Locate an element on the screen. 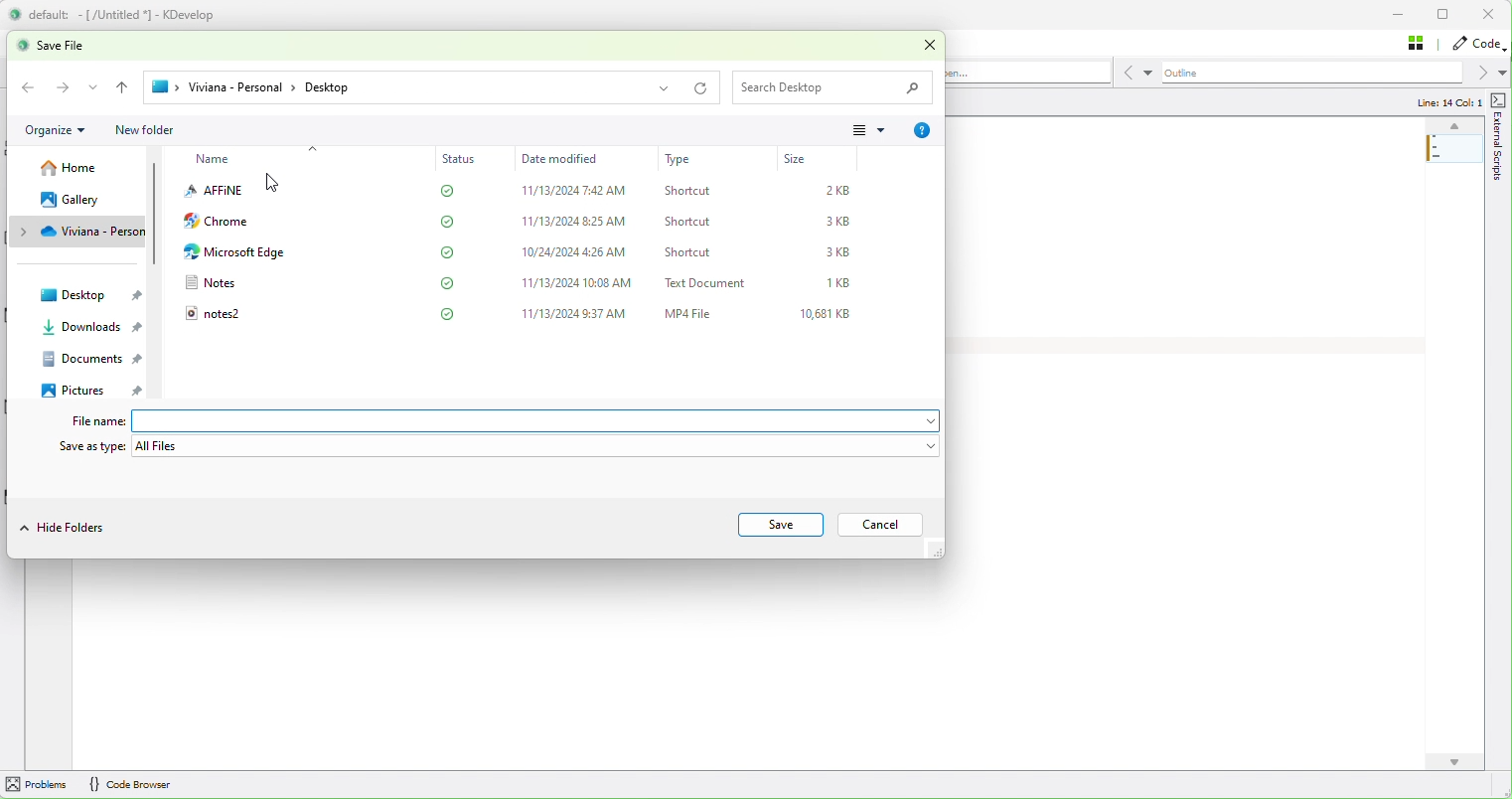 This screenshot has width=1512, height=799. Size is located at coordinates (797, 159).